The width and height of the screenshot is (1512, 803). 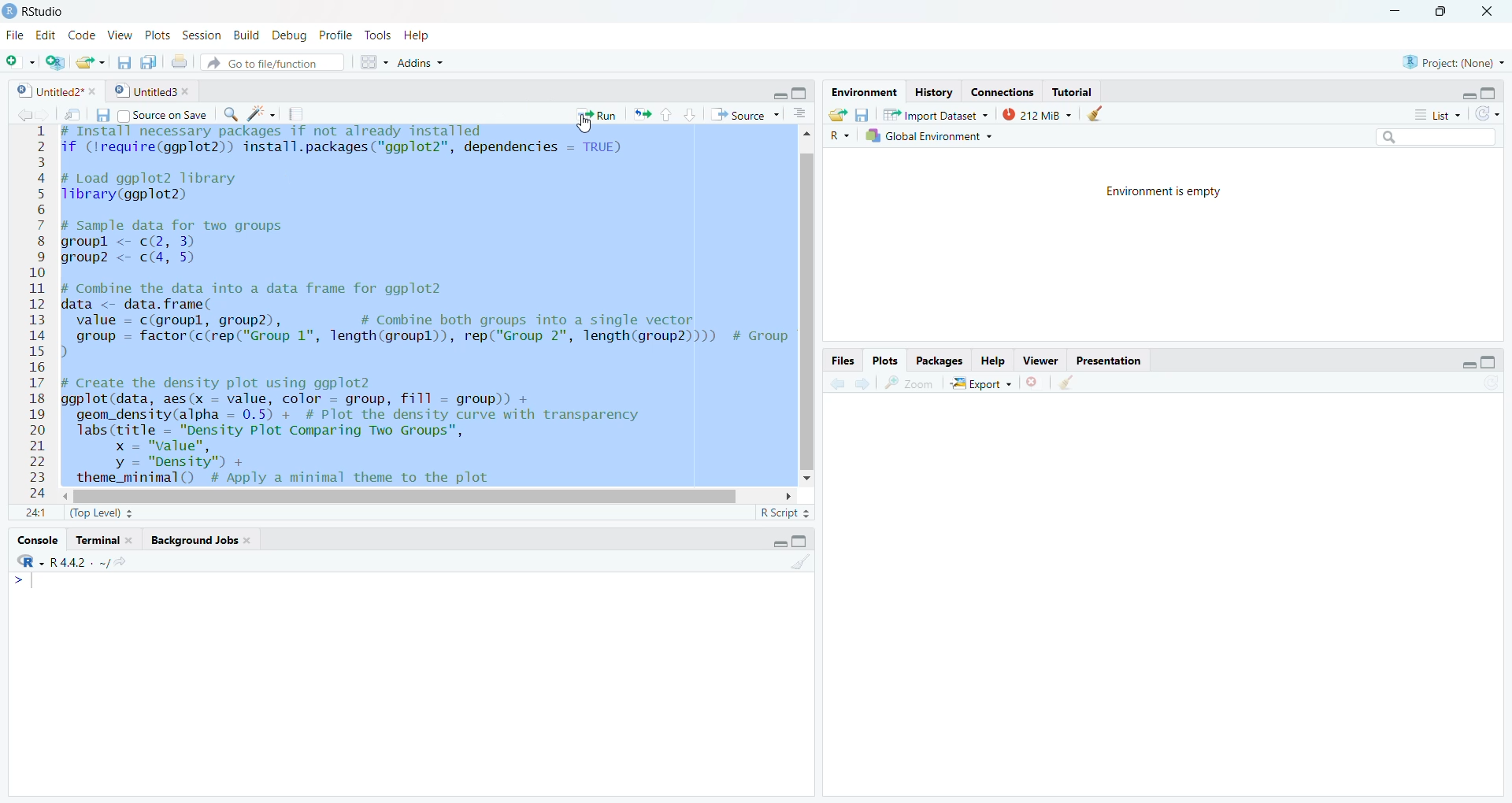 What do you see at coordinates (691, 117) in the screenshot?
I see `go to next section` at bounding box center [691, 117].